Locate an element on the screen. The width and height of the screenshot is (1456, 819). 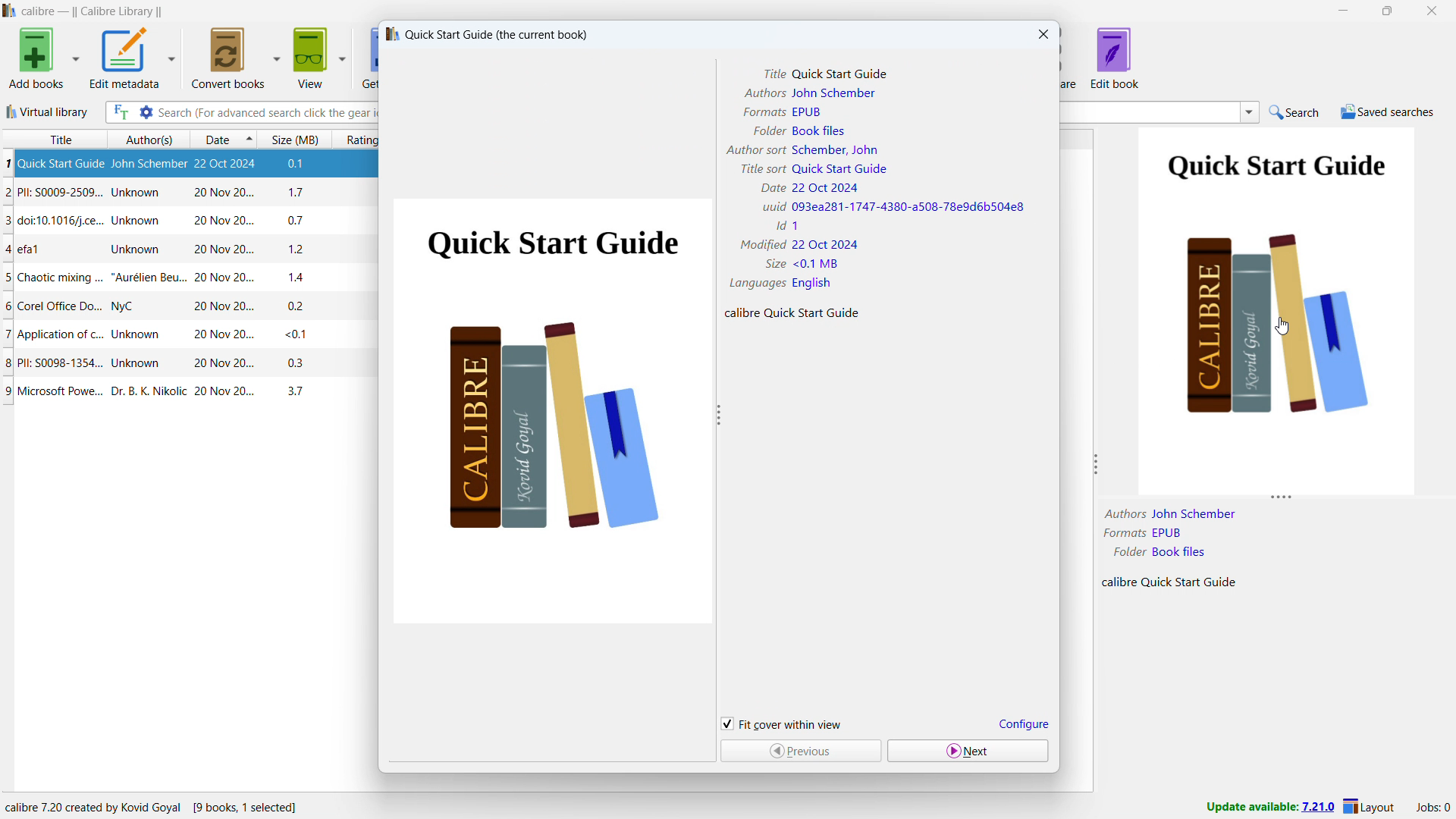
<0.1 MB is located at coordinates (817, 263).